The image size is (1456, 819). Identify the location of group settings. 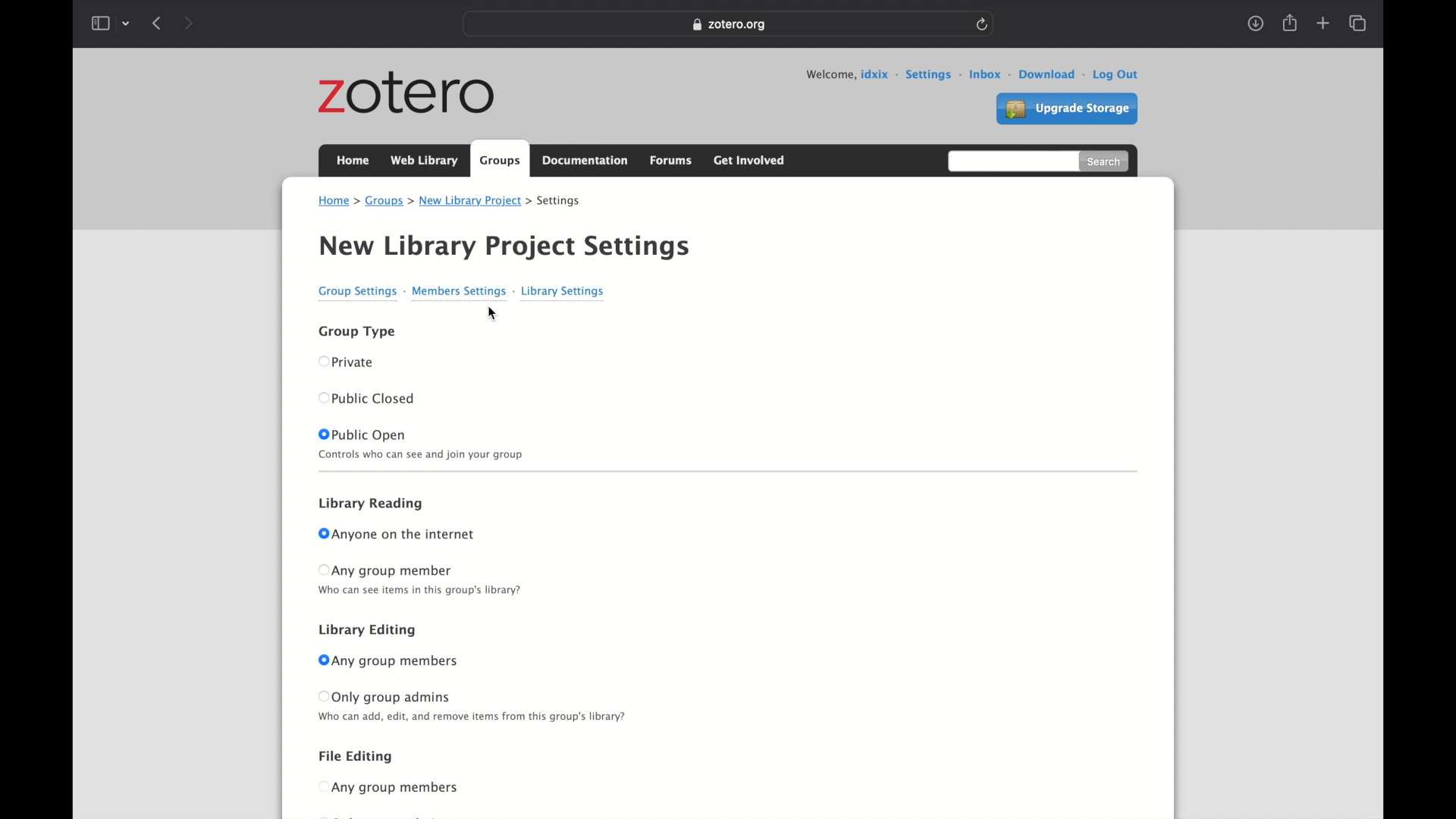
(360, 291).